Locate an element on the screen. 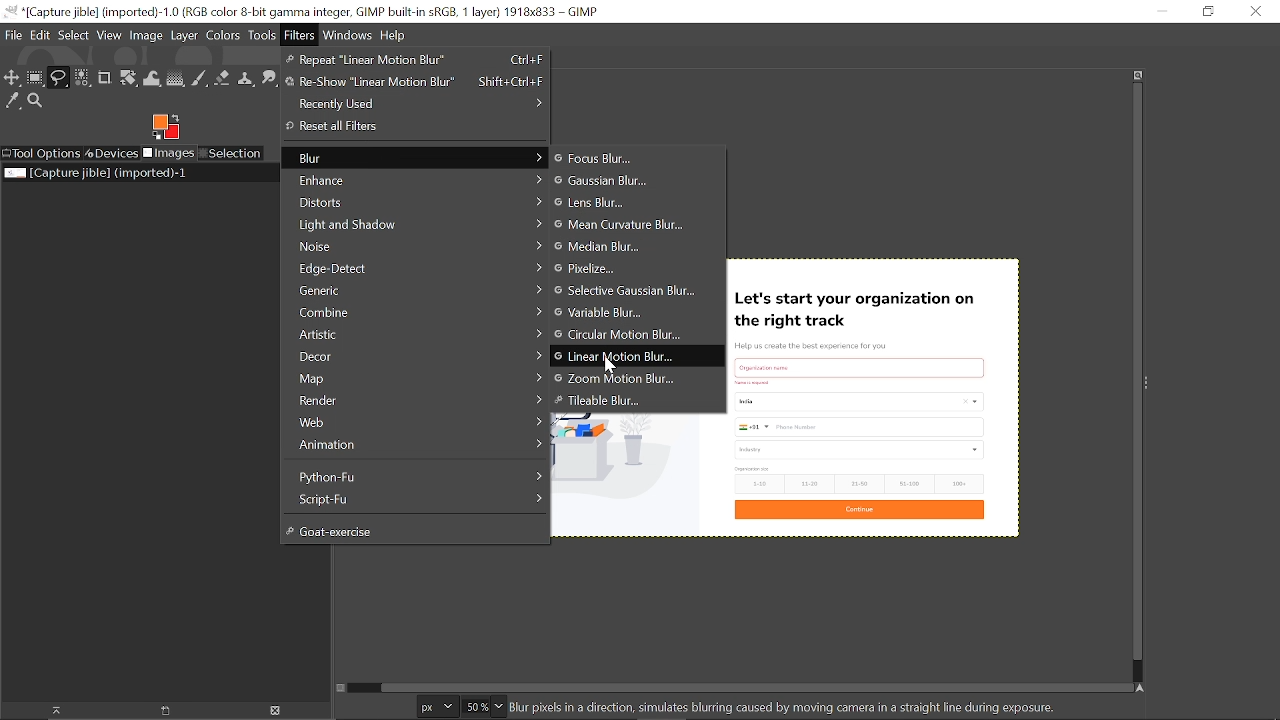 The height and width of the screenshot is (720, 1280). Selection is located at coordinates (230, 154).